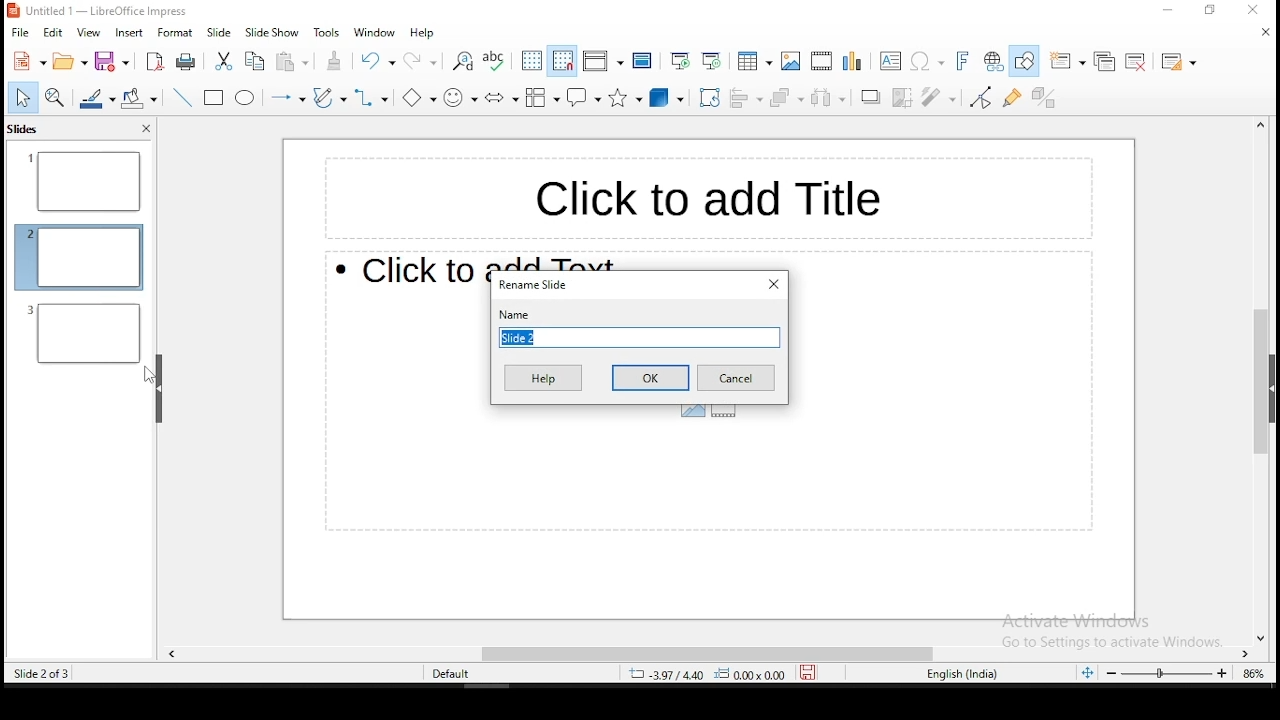  I want to click on save, so click(112, 60).